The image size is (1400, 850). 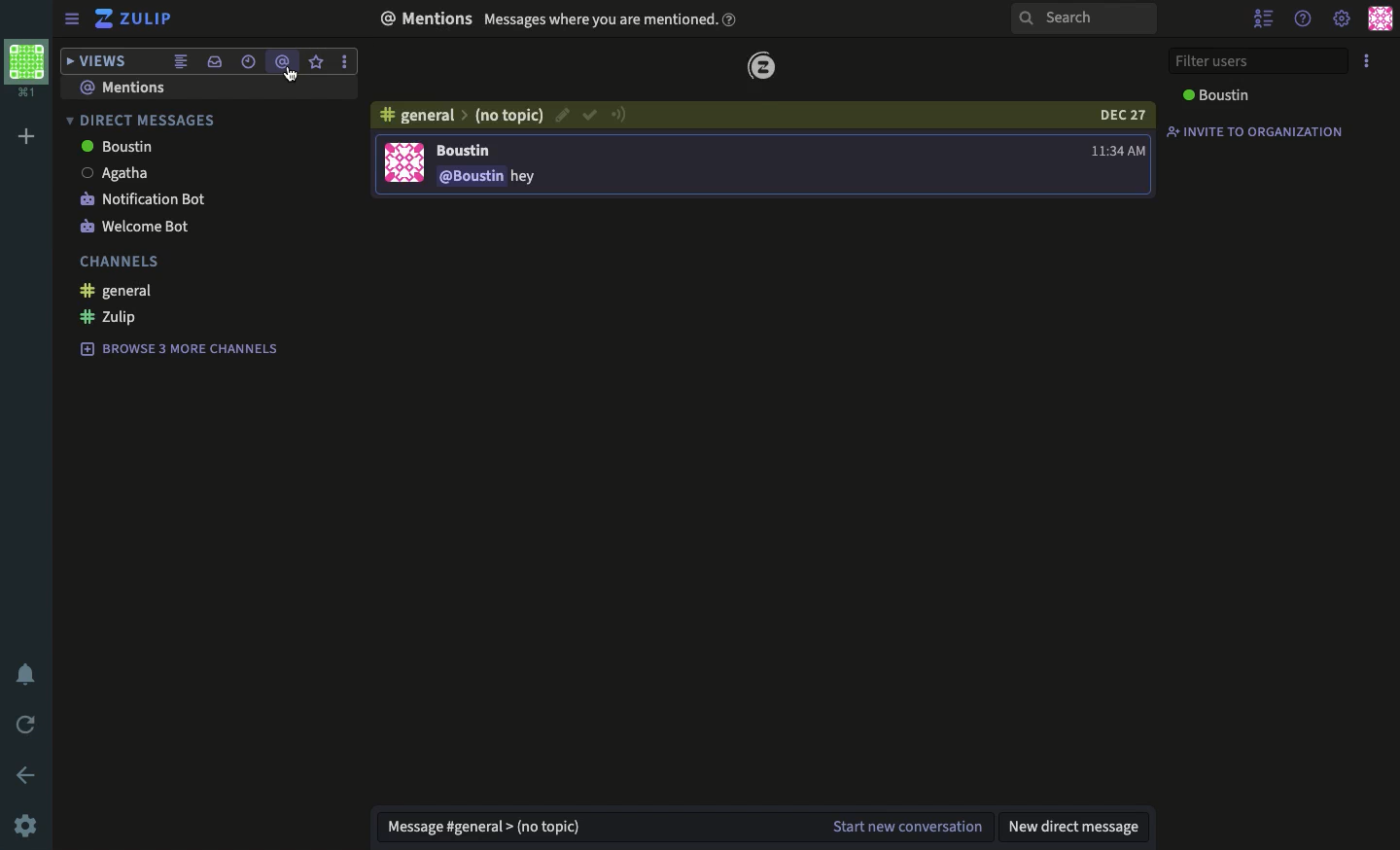 I want to click on combined feed, so click(x=185, y=59).